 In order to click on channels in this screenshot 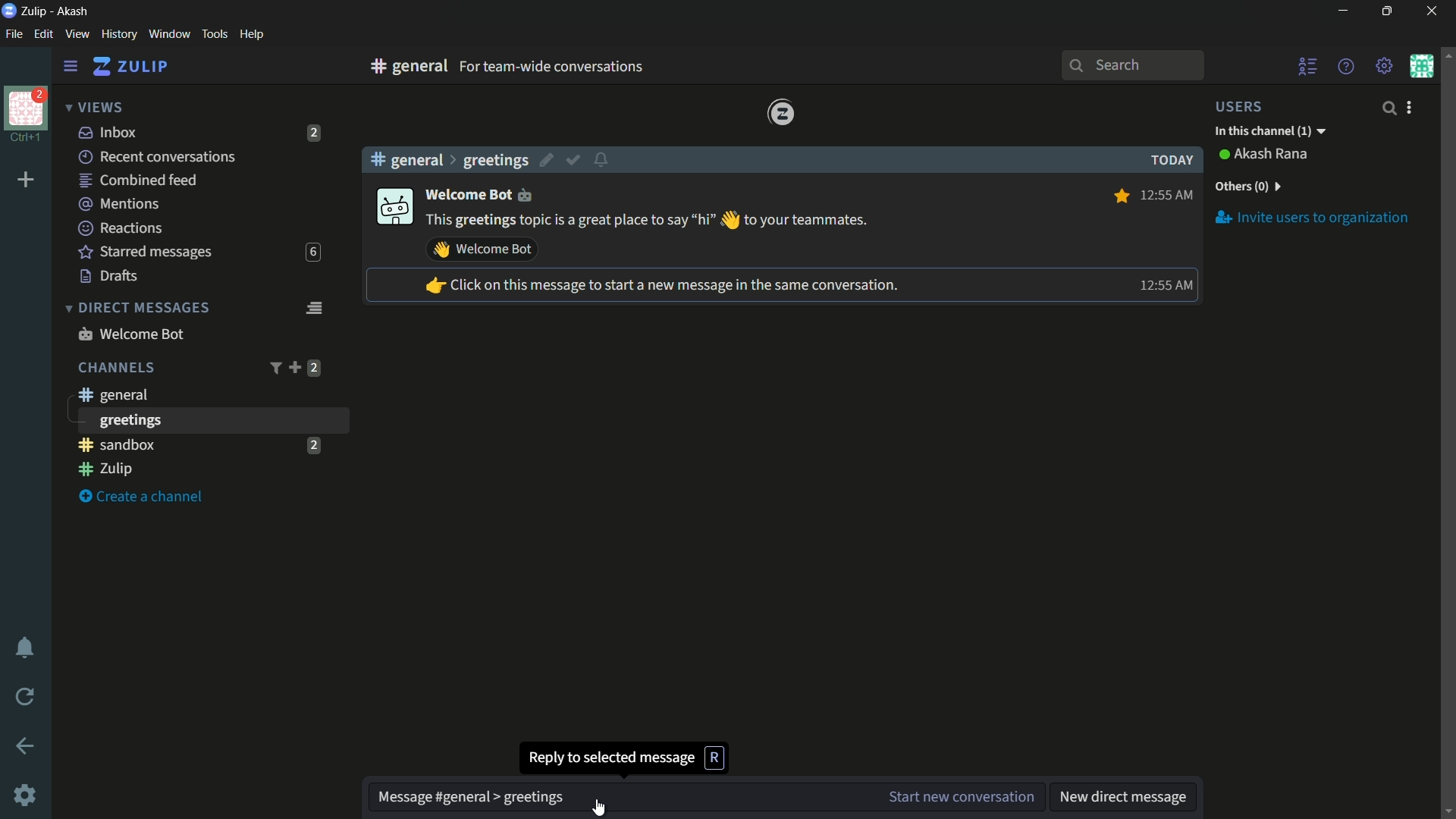, I will do `click(115, 368)`.